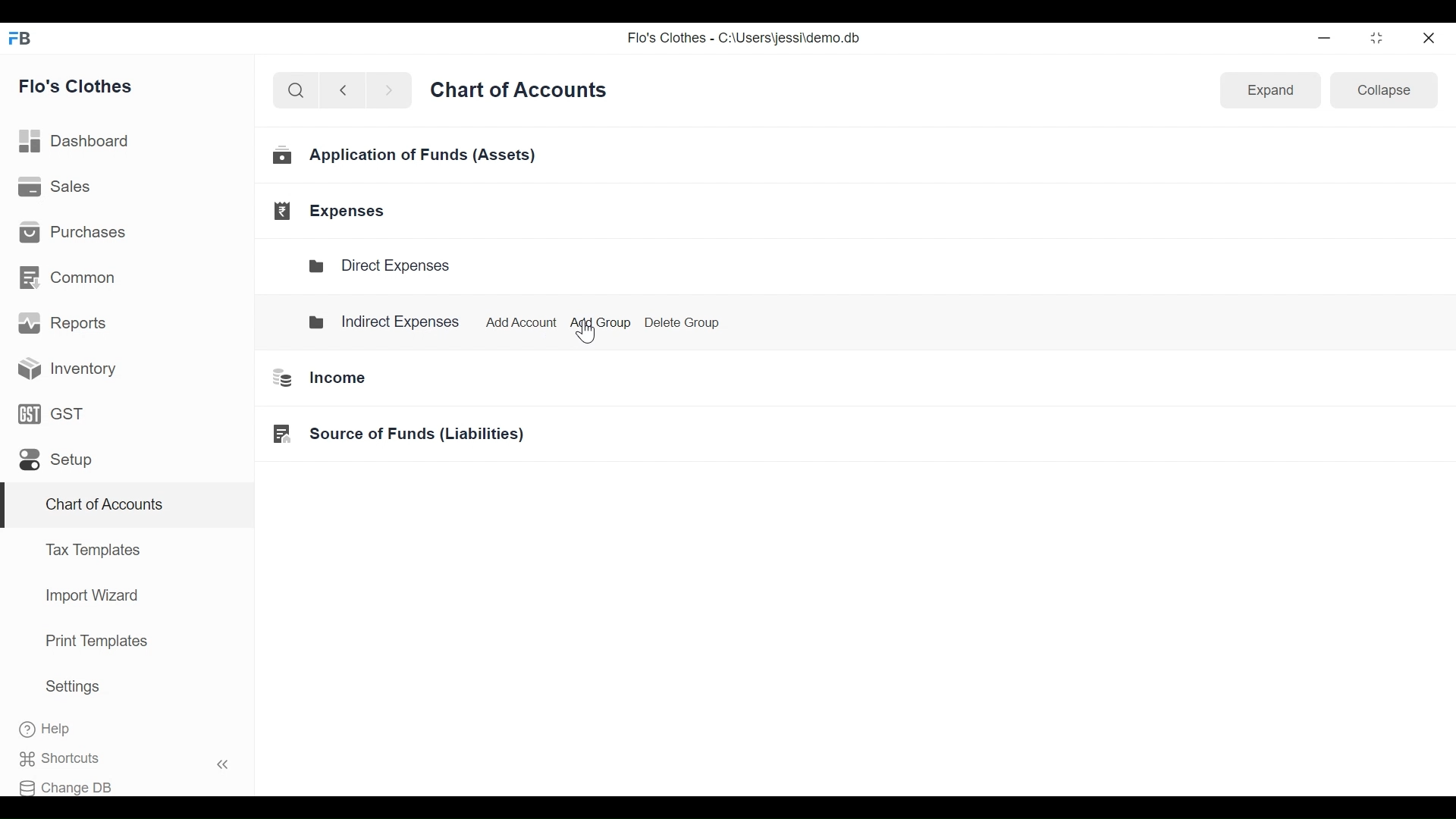 The width and height of the screenshot is (1456, 819). Describe the element at coordinates (1386, 93) in the screenshot. I see `Collapse` at that location.